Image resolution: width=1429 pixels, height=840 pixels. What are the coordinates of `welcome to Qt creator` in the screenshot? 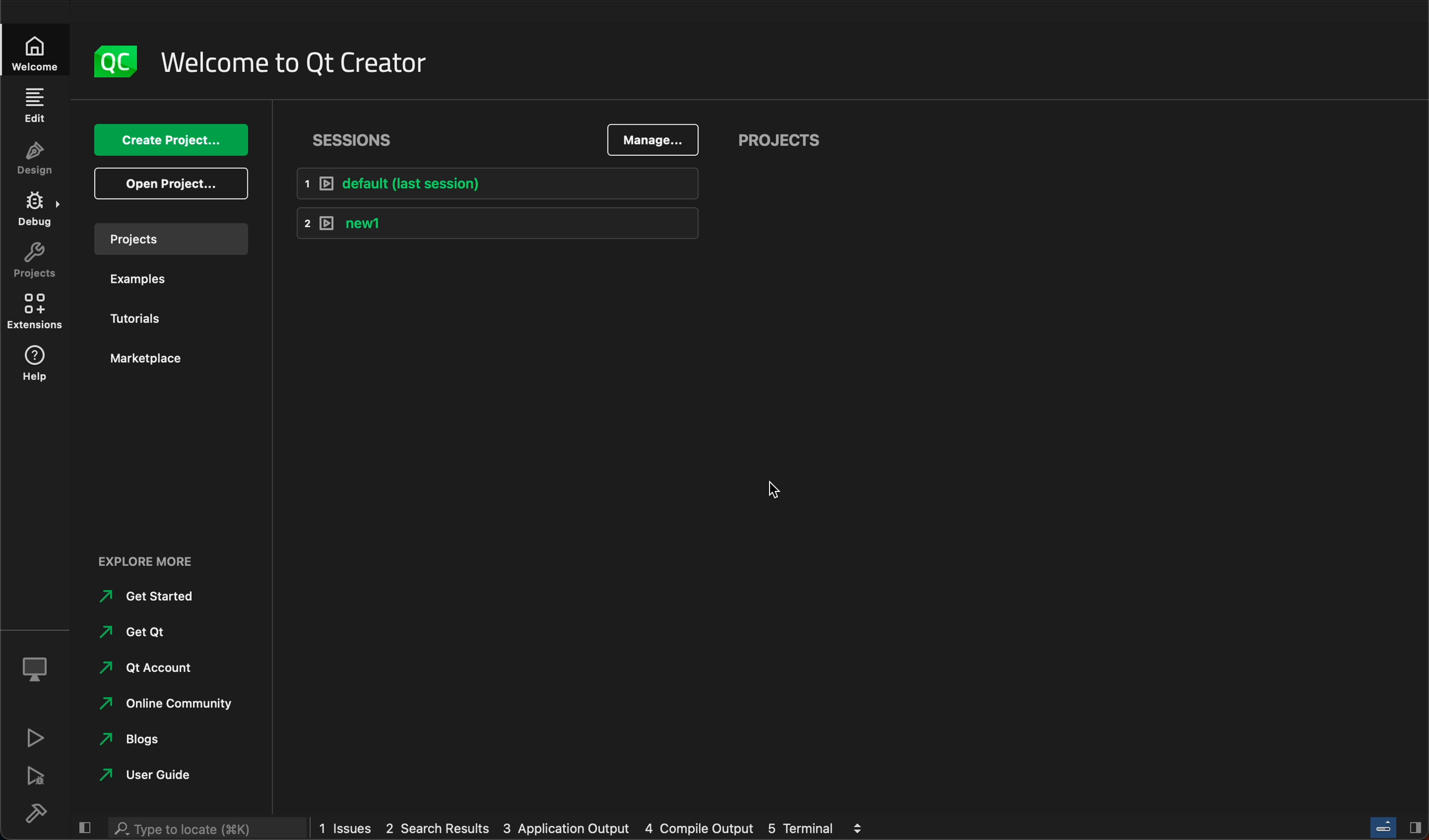 It's located at (290, 60).